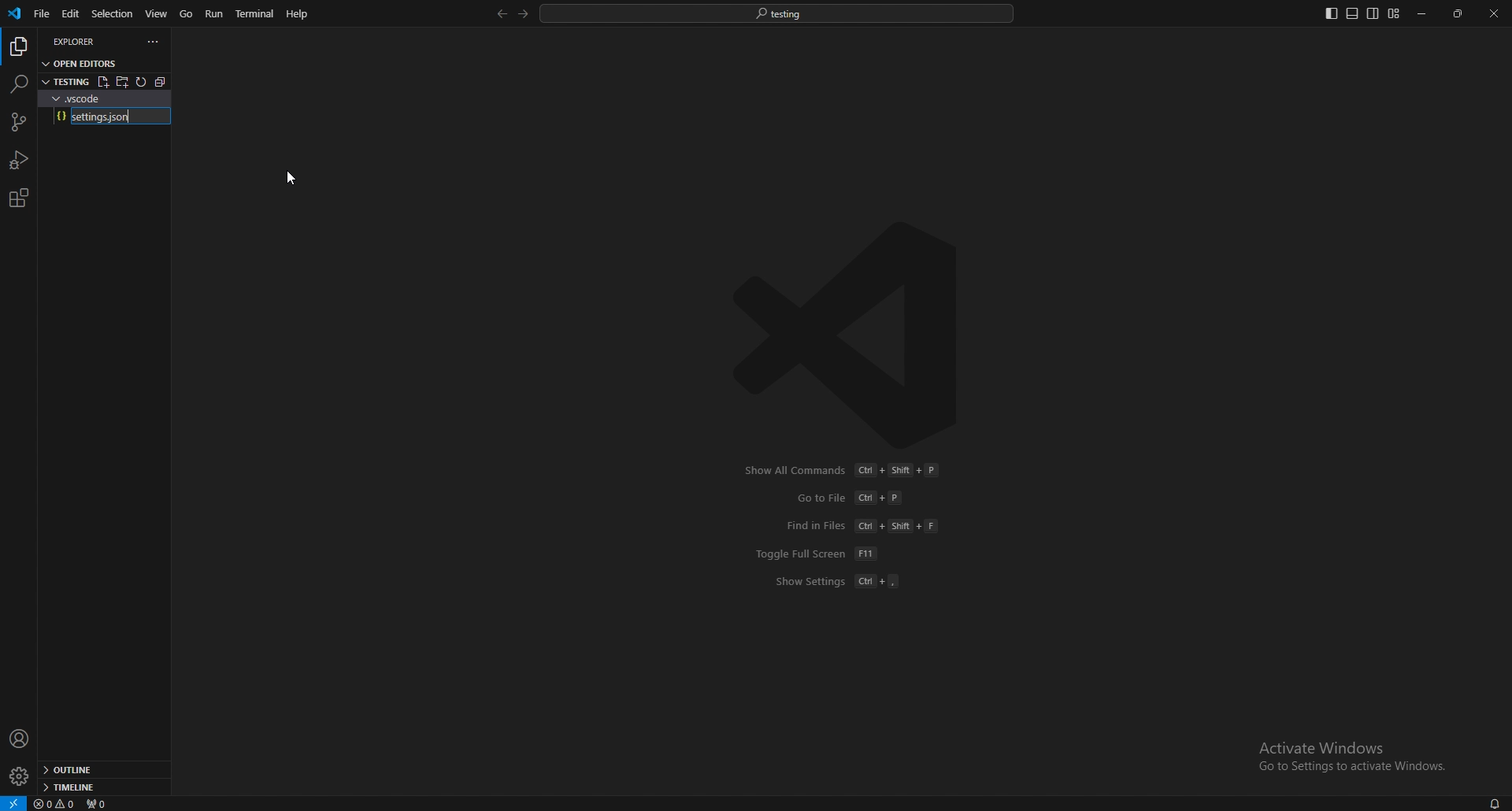 This screenshot has width=1512, height=811. I want to click on go, so click(187, 14).